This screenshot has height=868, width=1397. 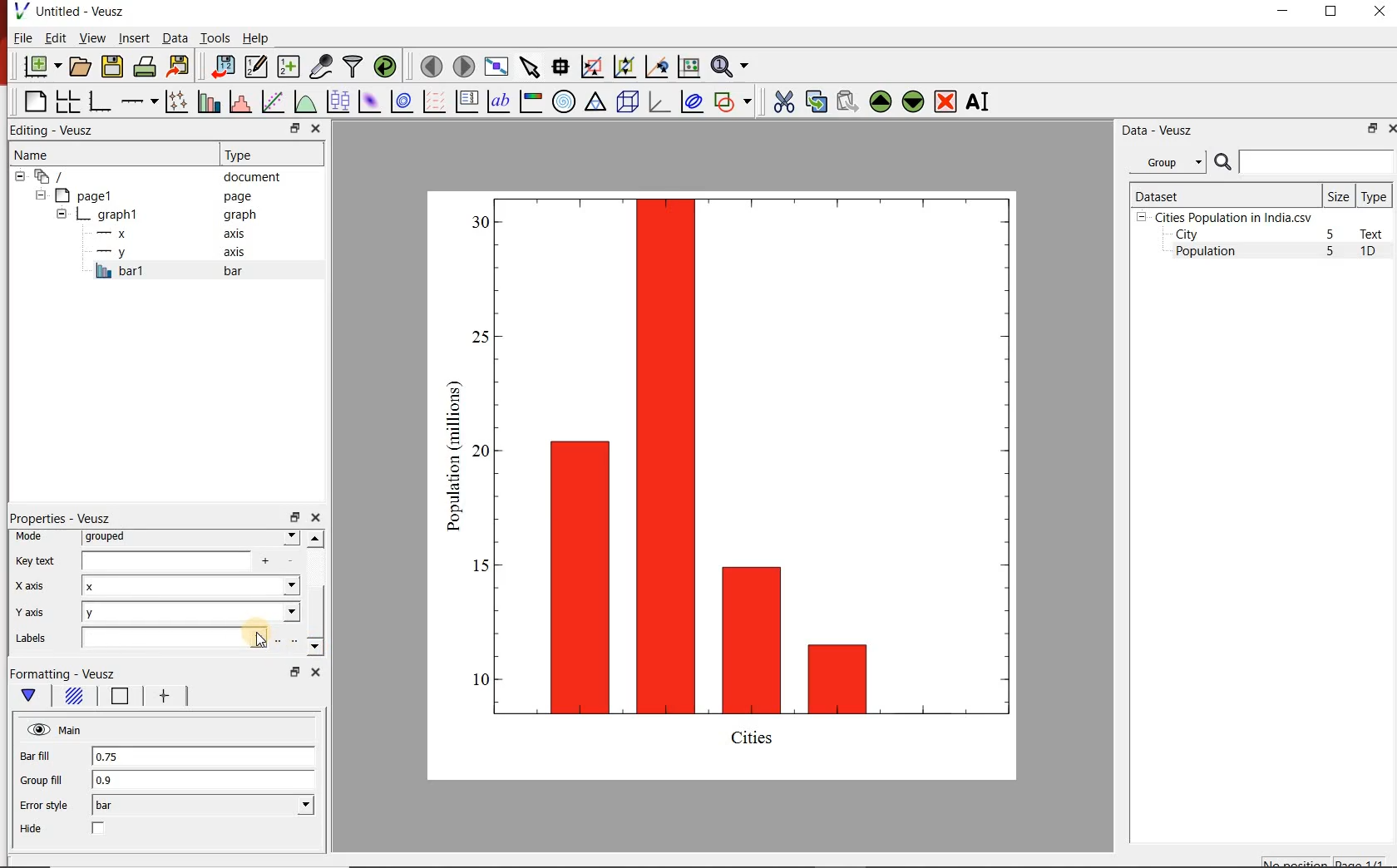 I want to click on 1D, so click(x=1375, y=253).